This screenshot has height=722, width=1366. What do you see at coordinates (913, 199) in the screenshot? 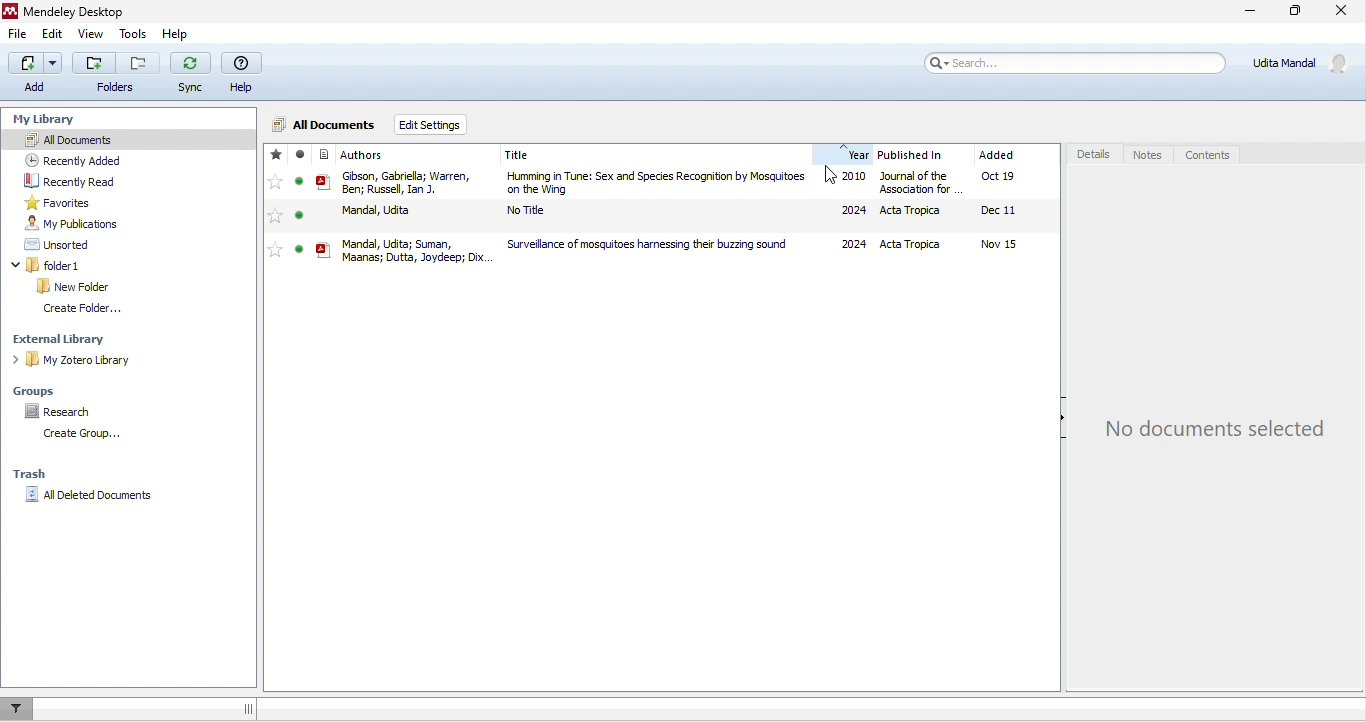
I see ` Published In Journal of the‘assodaton for Acta Tropica+ Acta Tropica` at bounding box center [913, 199].